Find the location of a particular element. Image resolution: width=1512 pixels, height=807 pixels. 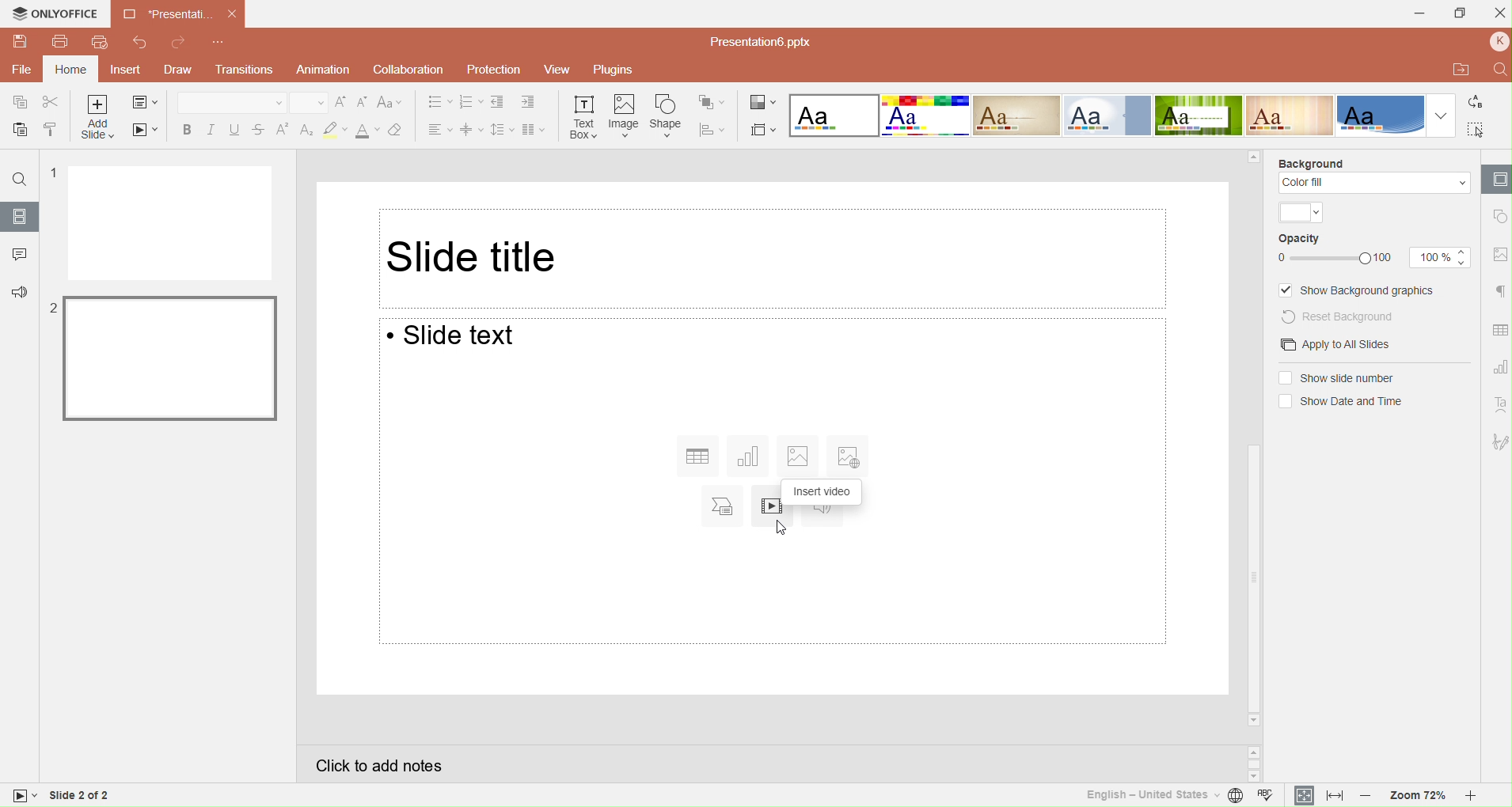

Profile name is located at coordinates (1497, 42).